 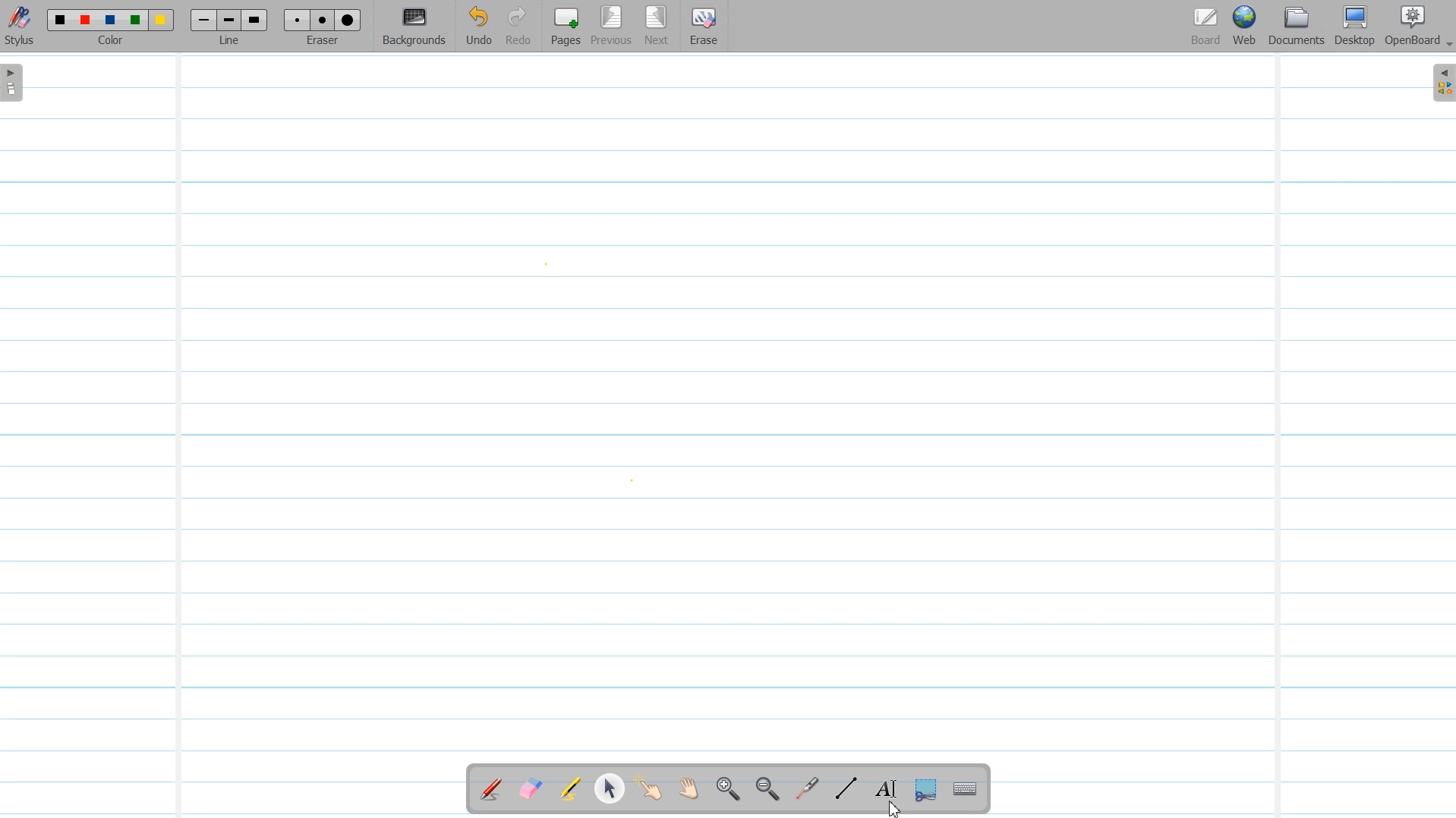 What do you see at coordinates (564, 26) in the screenshot?
I see `Pages` at bounding box center [564, 26].